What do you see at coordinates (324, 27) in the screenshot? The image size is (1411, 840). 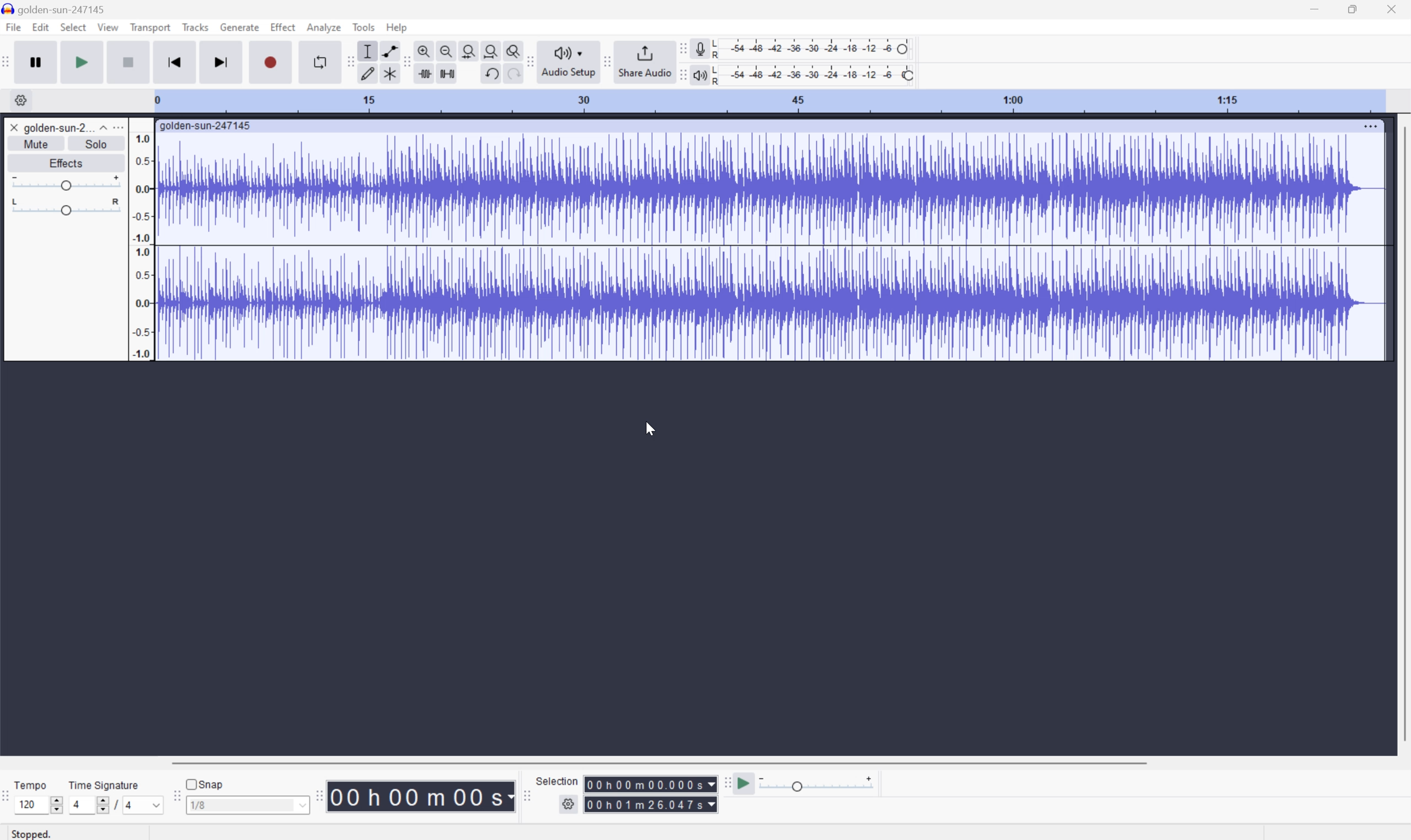 I see `Analyze` at bounding box center [324, 27].